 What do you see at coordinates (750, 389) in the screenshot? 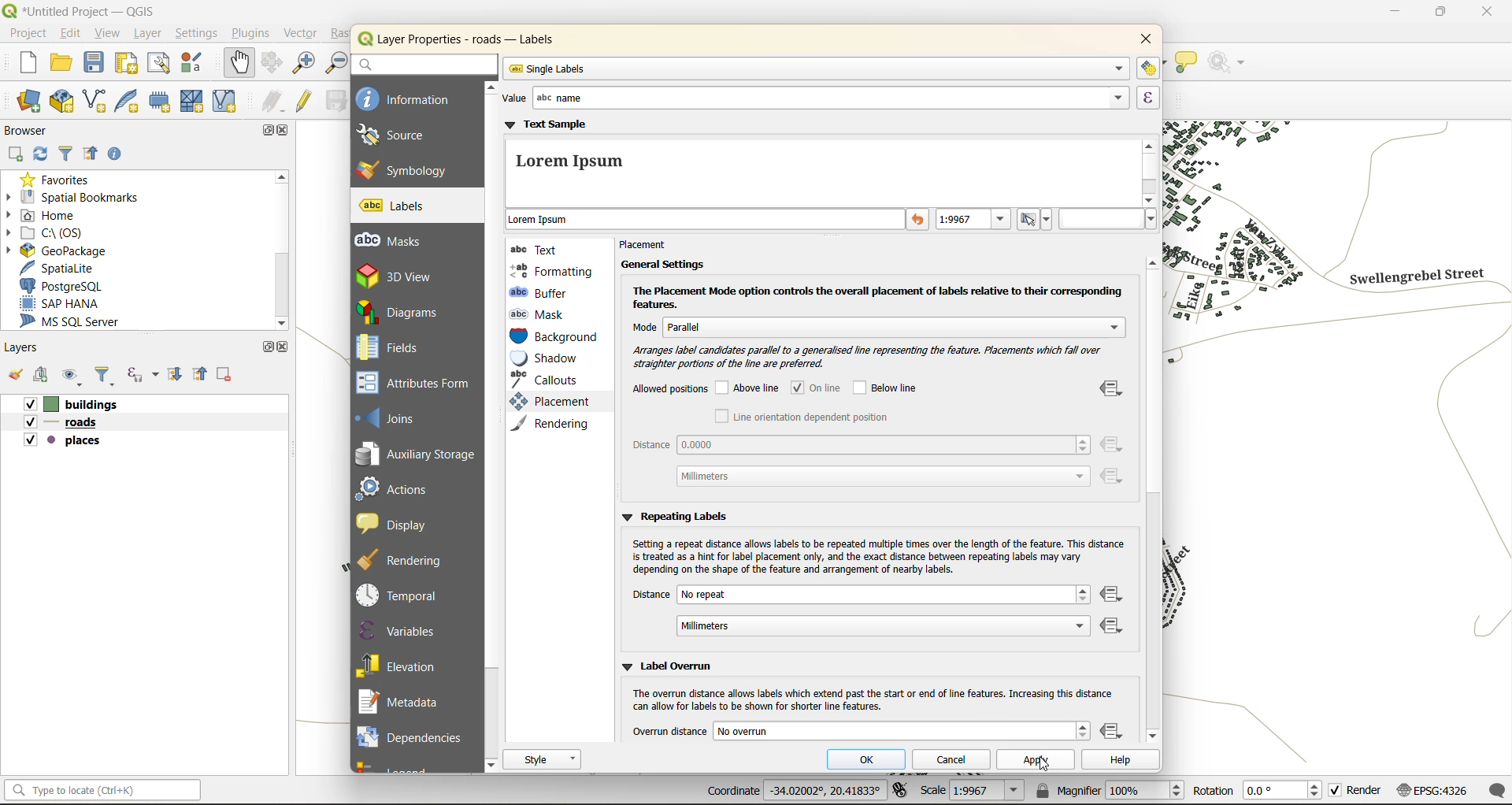
I see `above line unchecked` at bounding box center [750, 389].